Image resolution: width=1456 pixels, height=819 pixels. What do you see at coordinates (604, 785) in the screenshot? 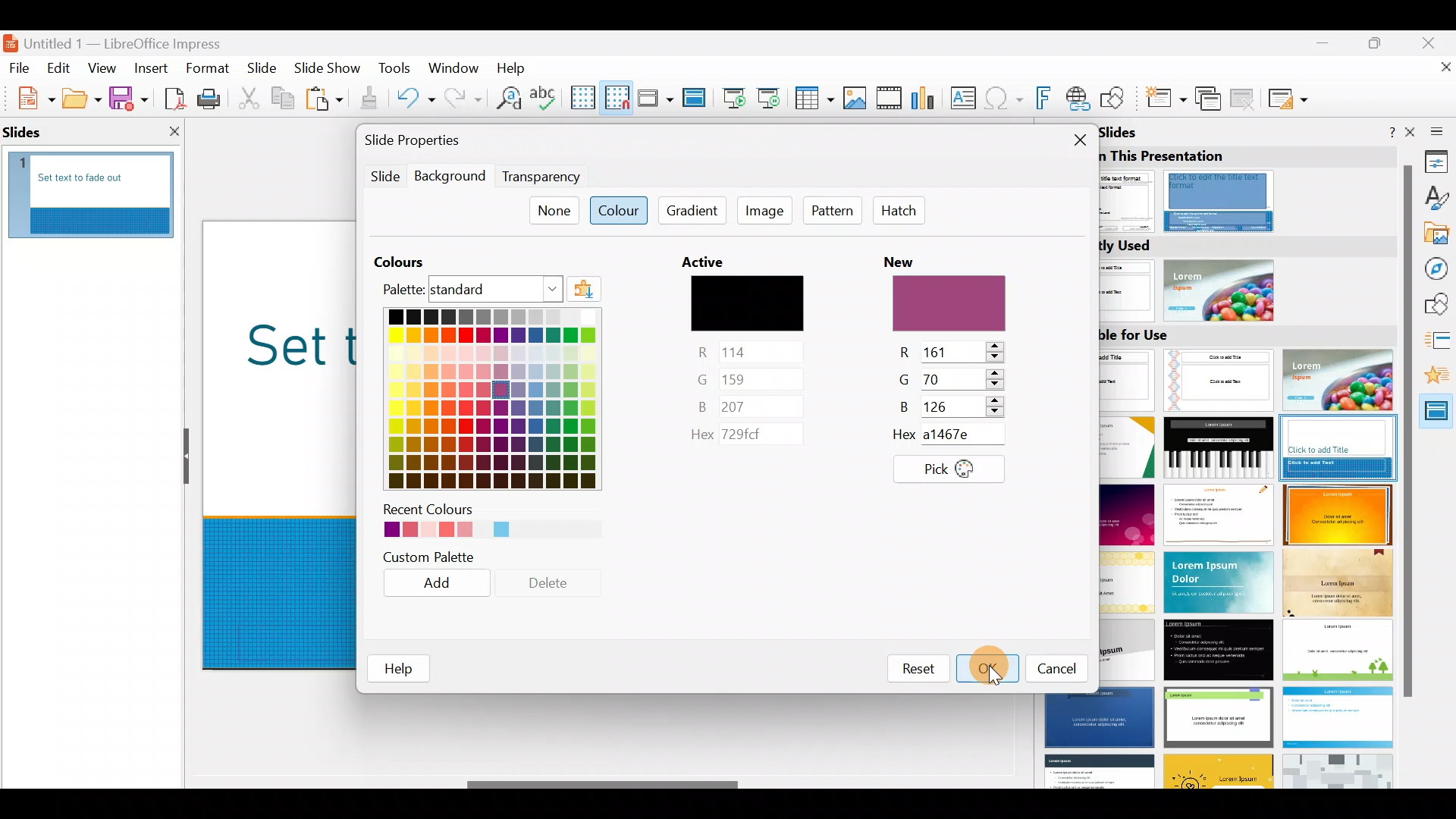
I see `Scroll bar` at bounding box center [604, 785].